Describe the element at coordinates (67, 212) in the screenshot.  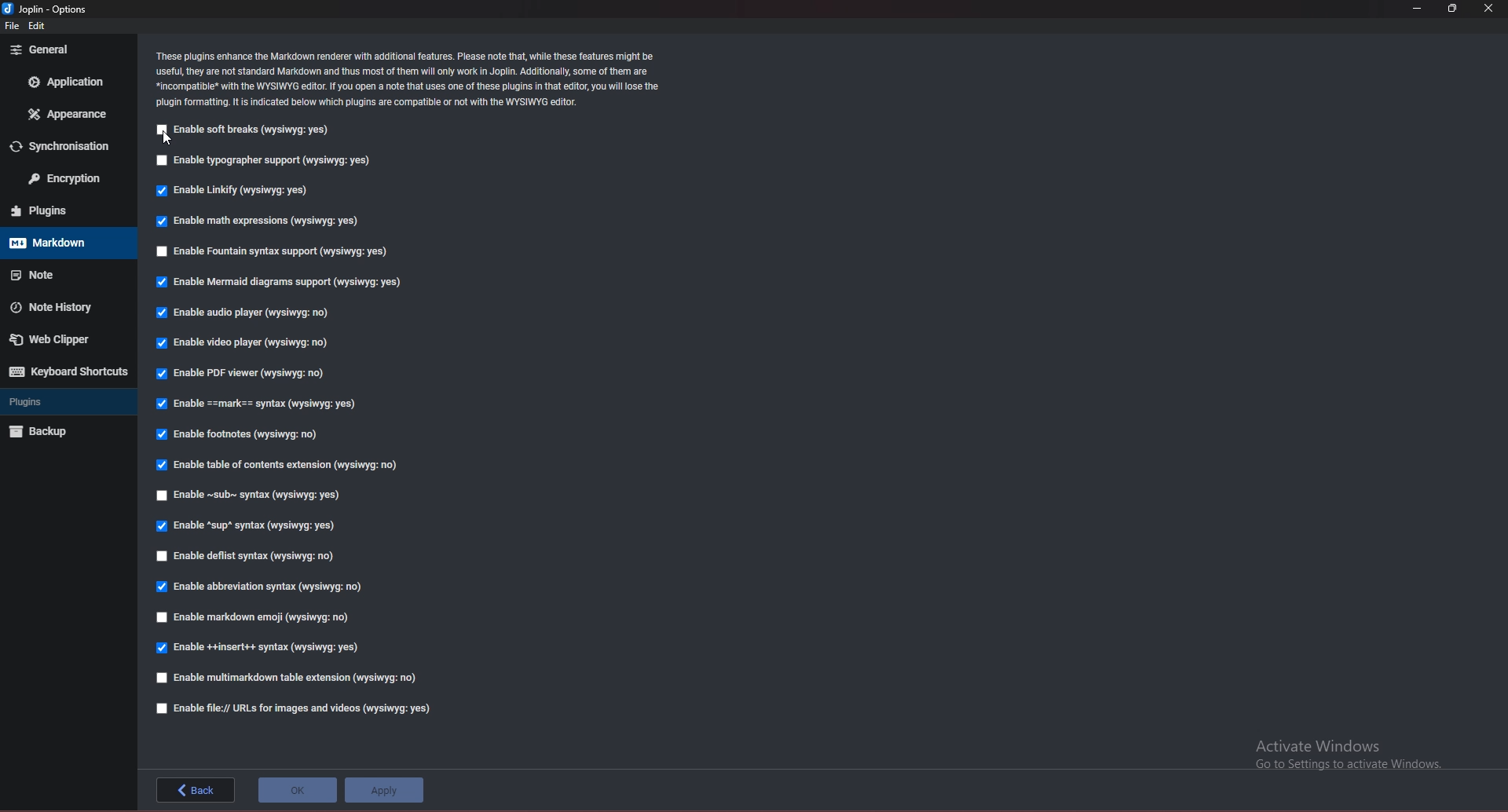
I see `plugins` at that location.